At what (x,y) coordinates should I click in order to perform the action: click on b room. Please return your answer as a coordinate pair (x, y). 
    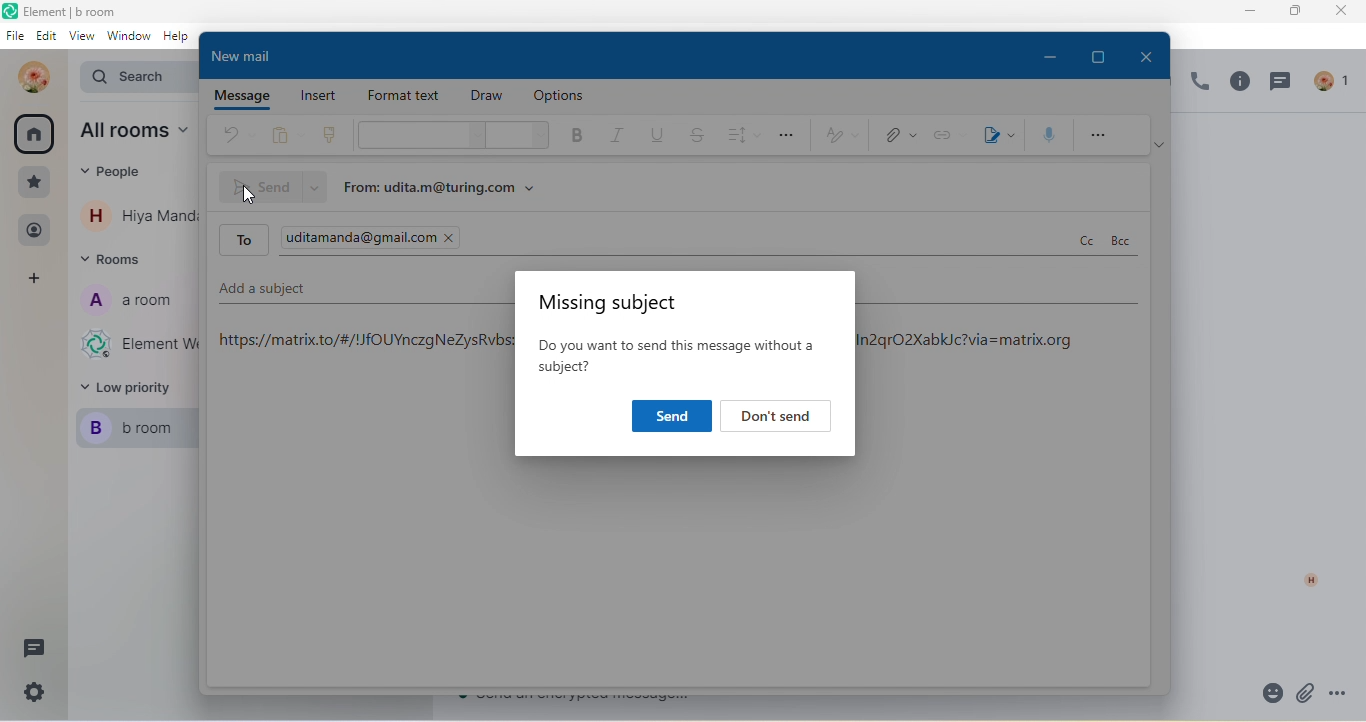
    Looking at the image, I should click on (136, 430).